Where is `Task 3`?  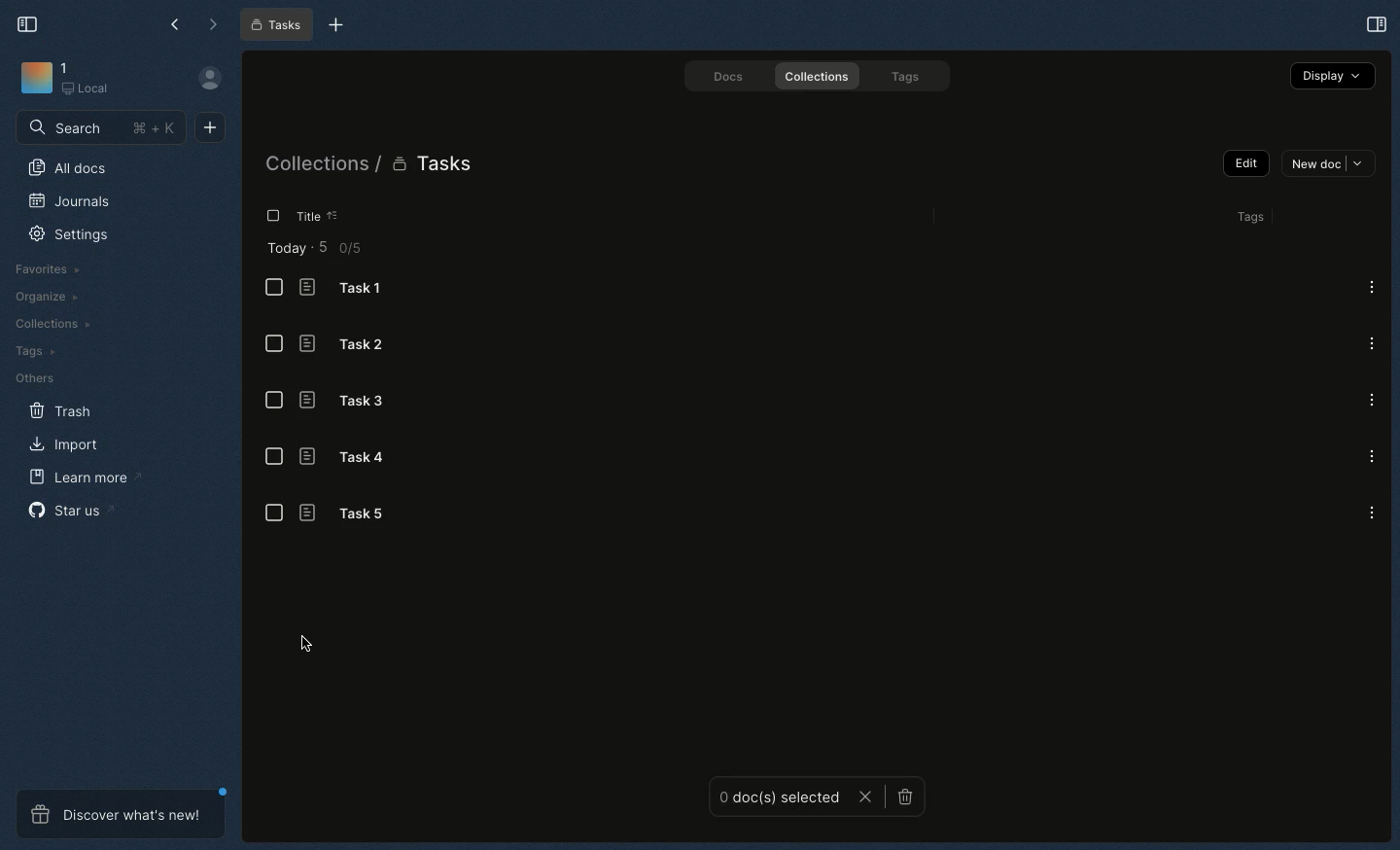 Task 3 is located at coordinates (350, 401).